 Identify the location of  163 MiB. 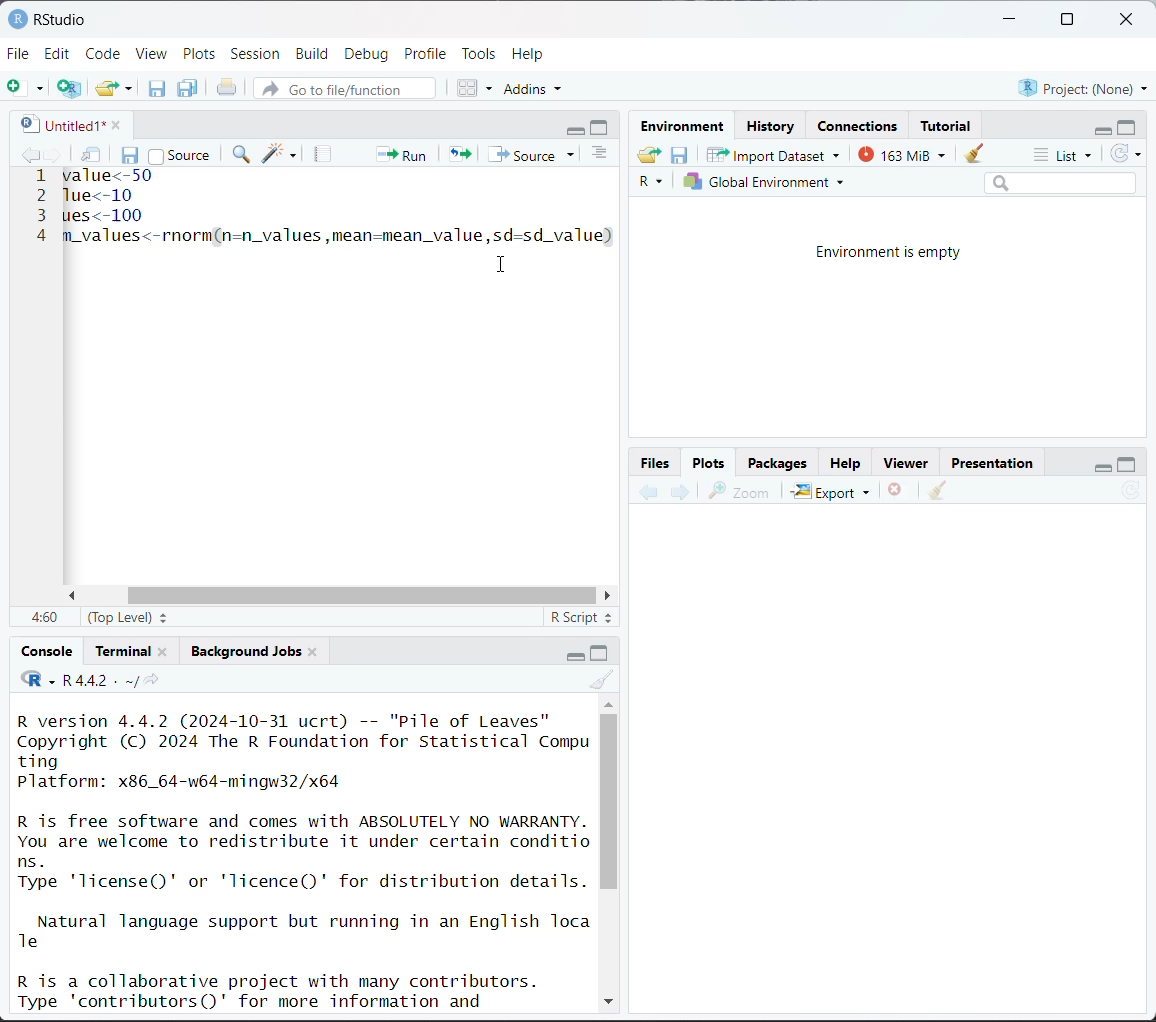
(899, 152).